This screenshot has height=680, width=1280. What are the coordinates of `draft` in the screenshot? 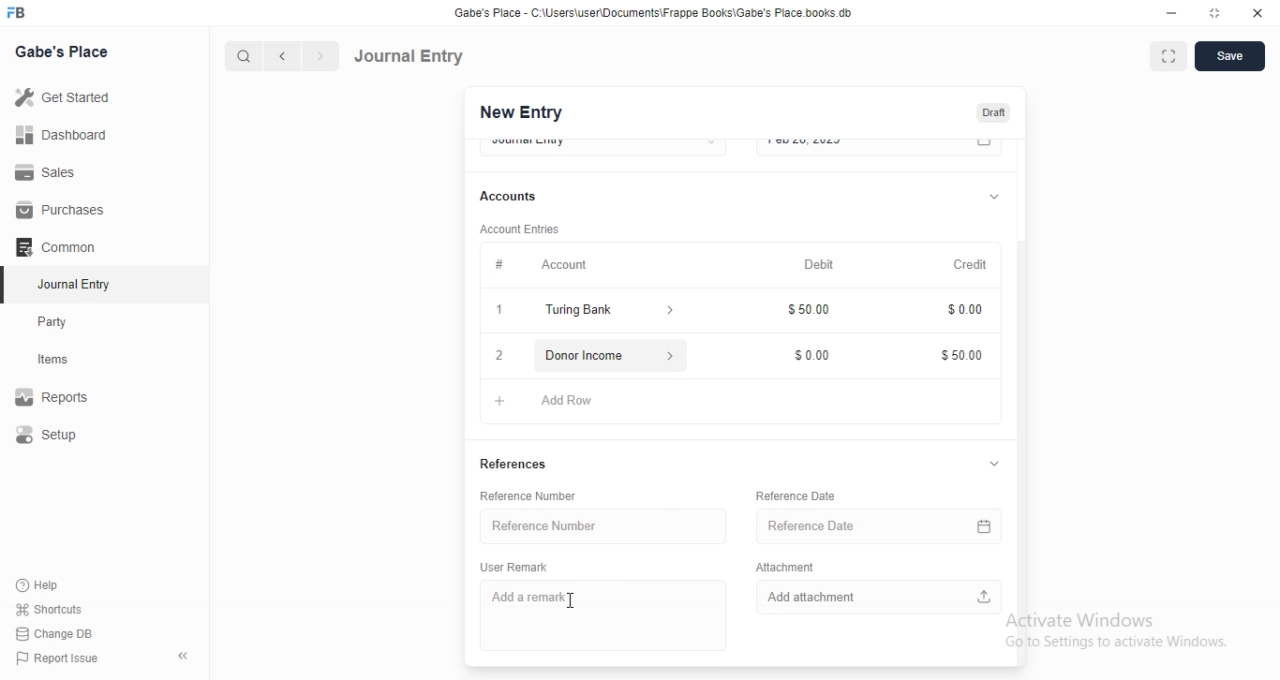 It's located at (993, 114).